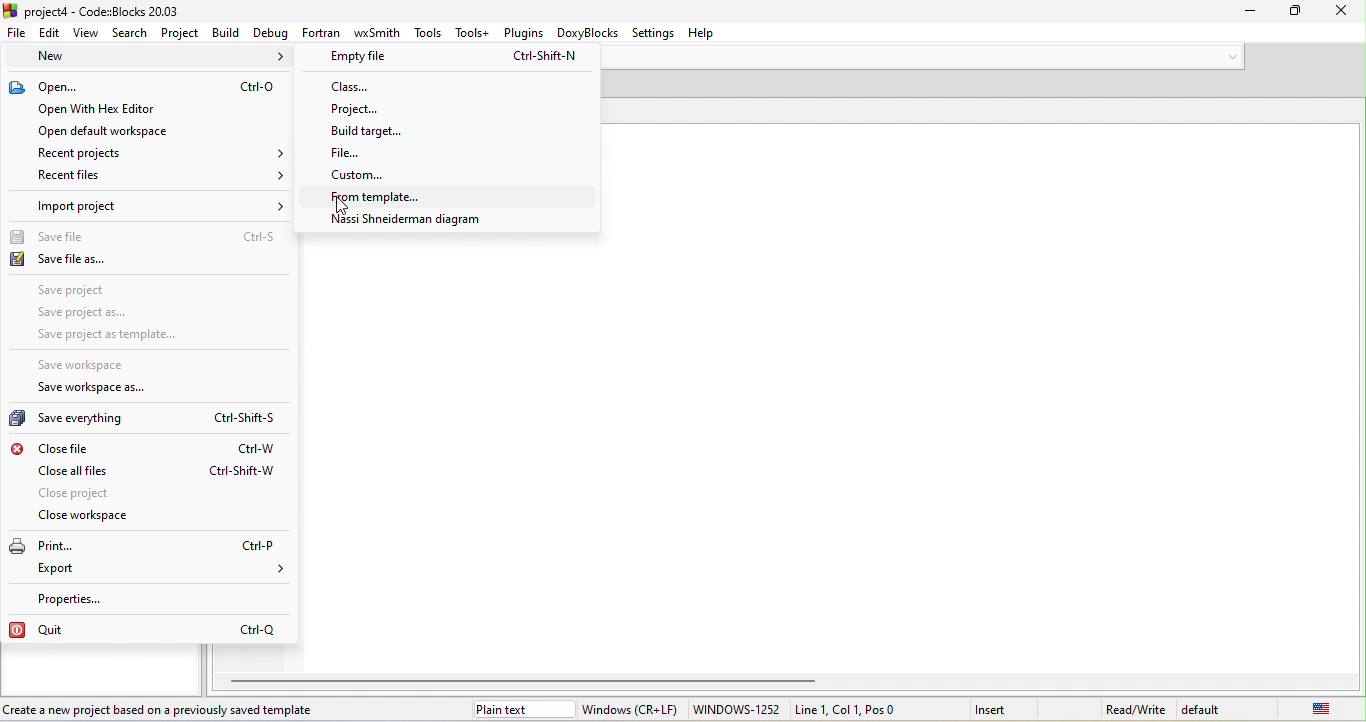 The image size is (1366, 722). I want to click on from templete, so click(396, 197).